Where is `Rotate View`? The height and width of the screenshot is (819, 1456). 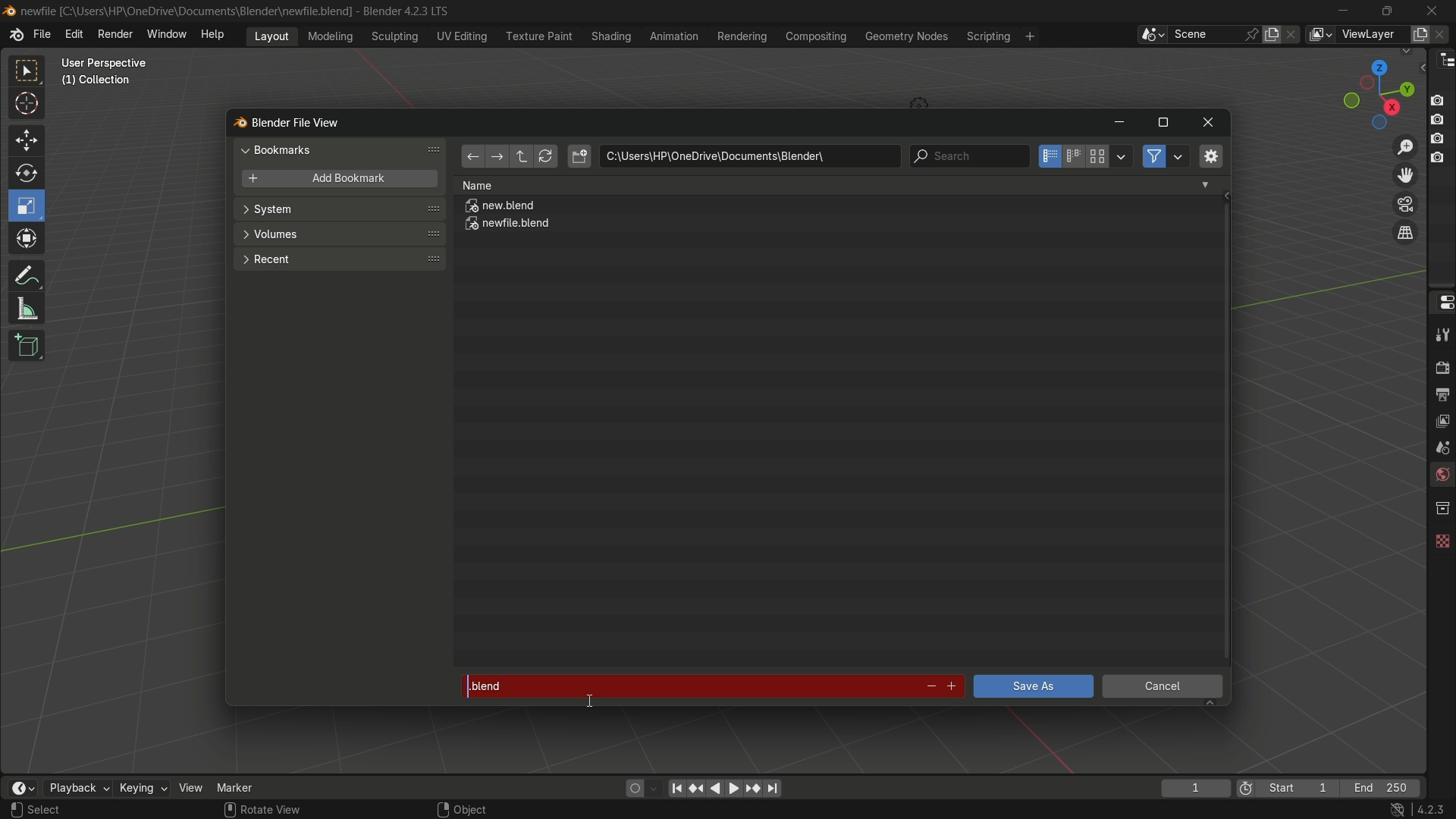
Rotate View is located at coordinates (262, 810).